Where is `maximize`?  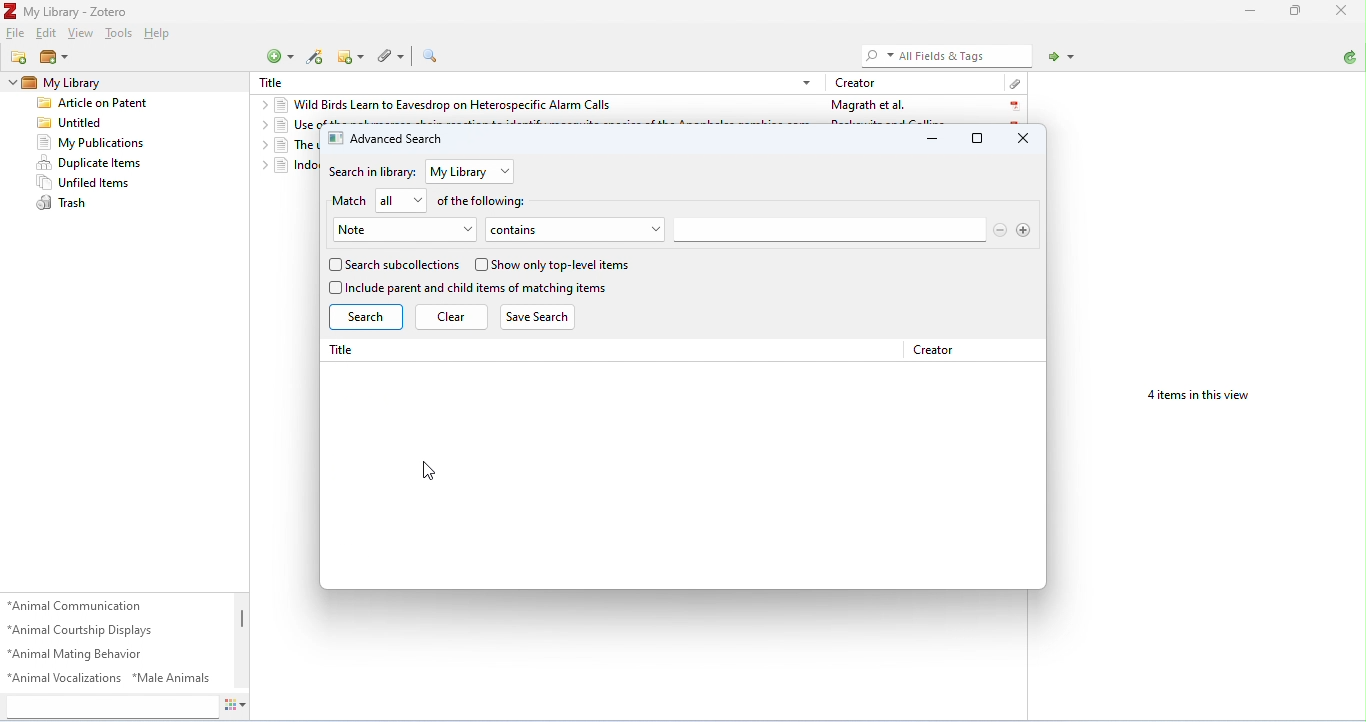
maximize is located at coordinates (1292, 11).